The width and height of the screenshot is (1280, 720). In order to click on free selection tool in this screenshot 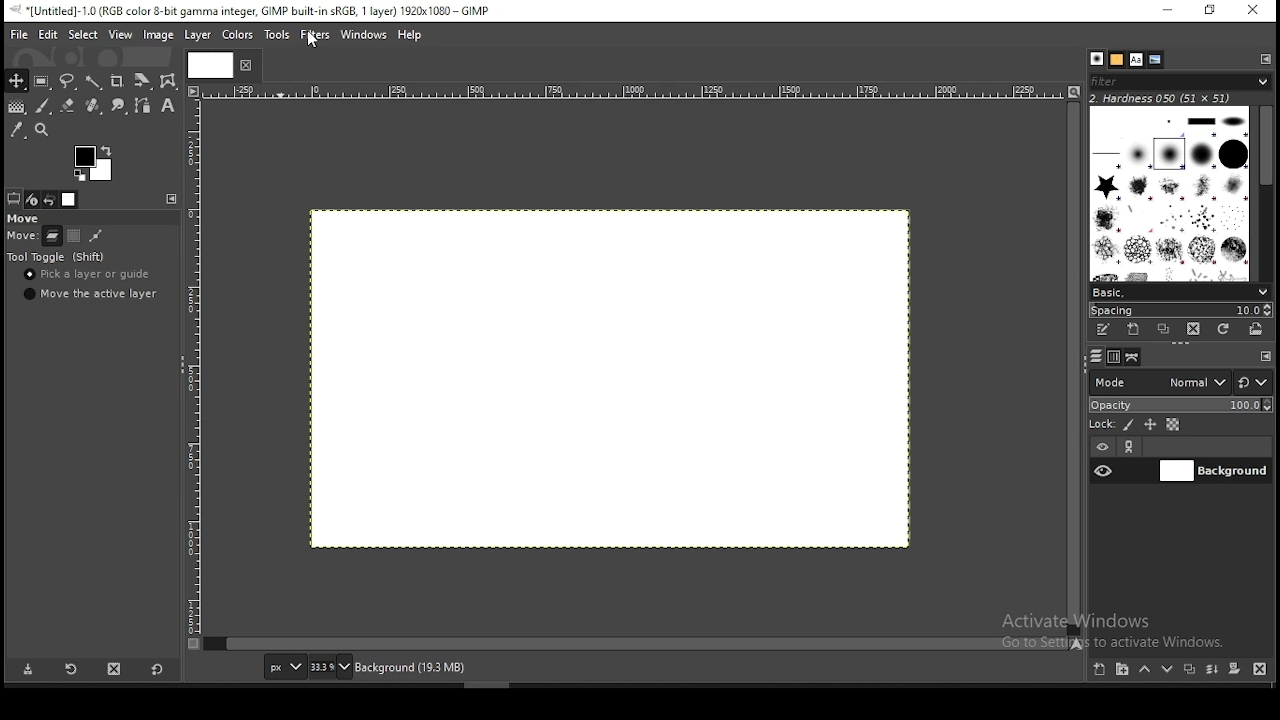, I will do `click(68, 81)`.